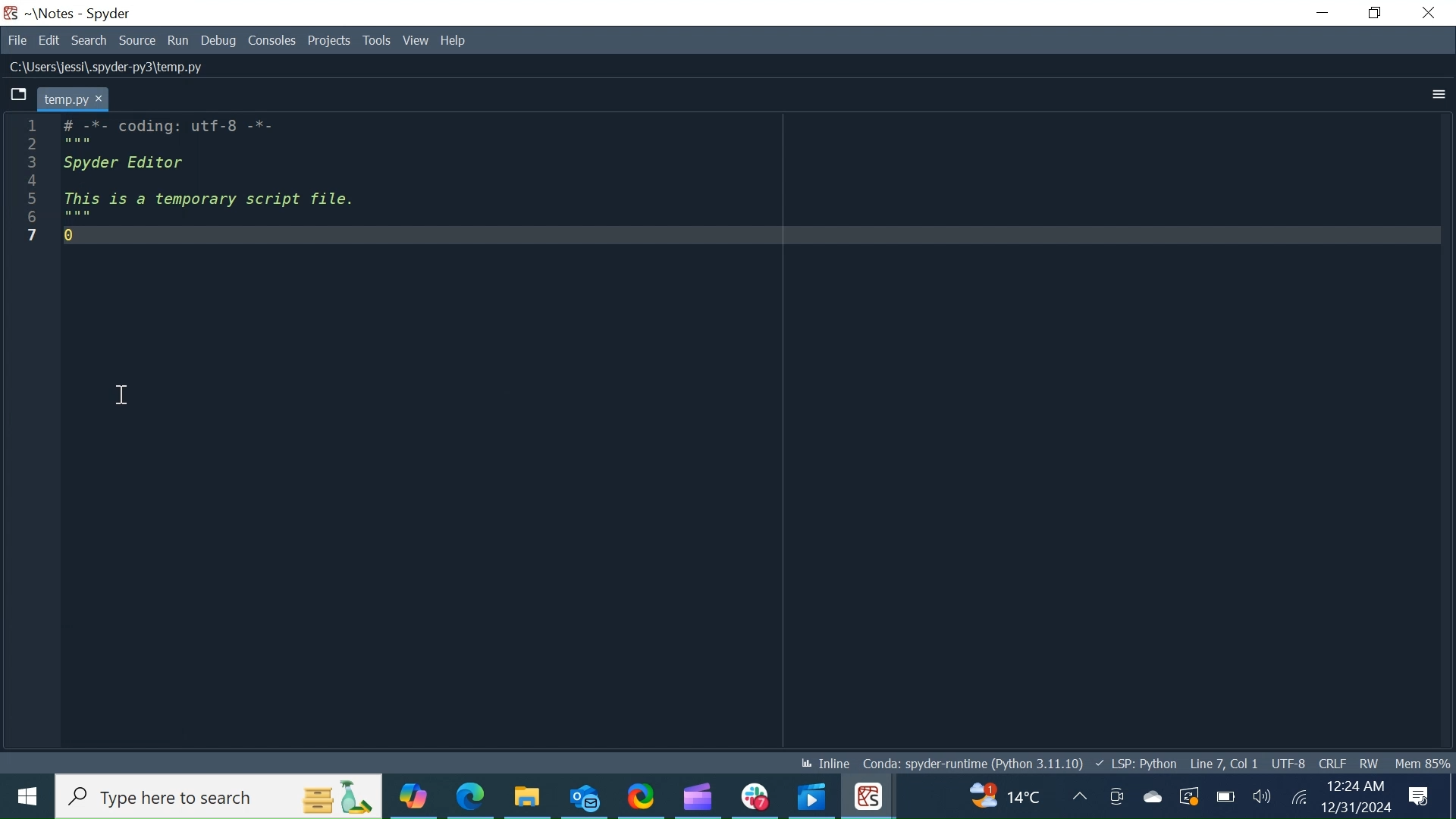 The width and height of the screenshot is (1456, 819). Describe the element at coordinates (418, 799) in the screenshot. I see `Copilot Desktop Icon` at that location.